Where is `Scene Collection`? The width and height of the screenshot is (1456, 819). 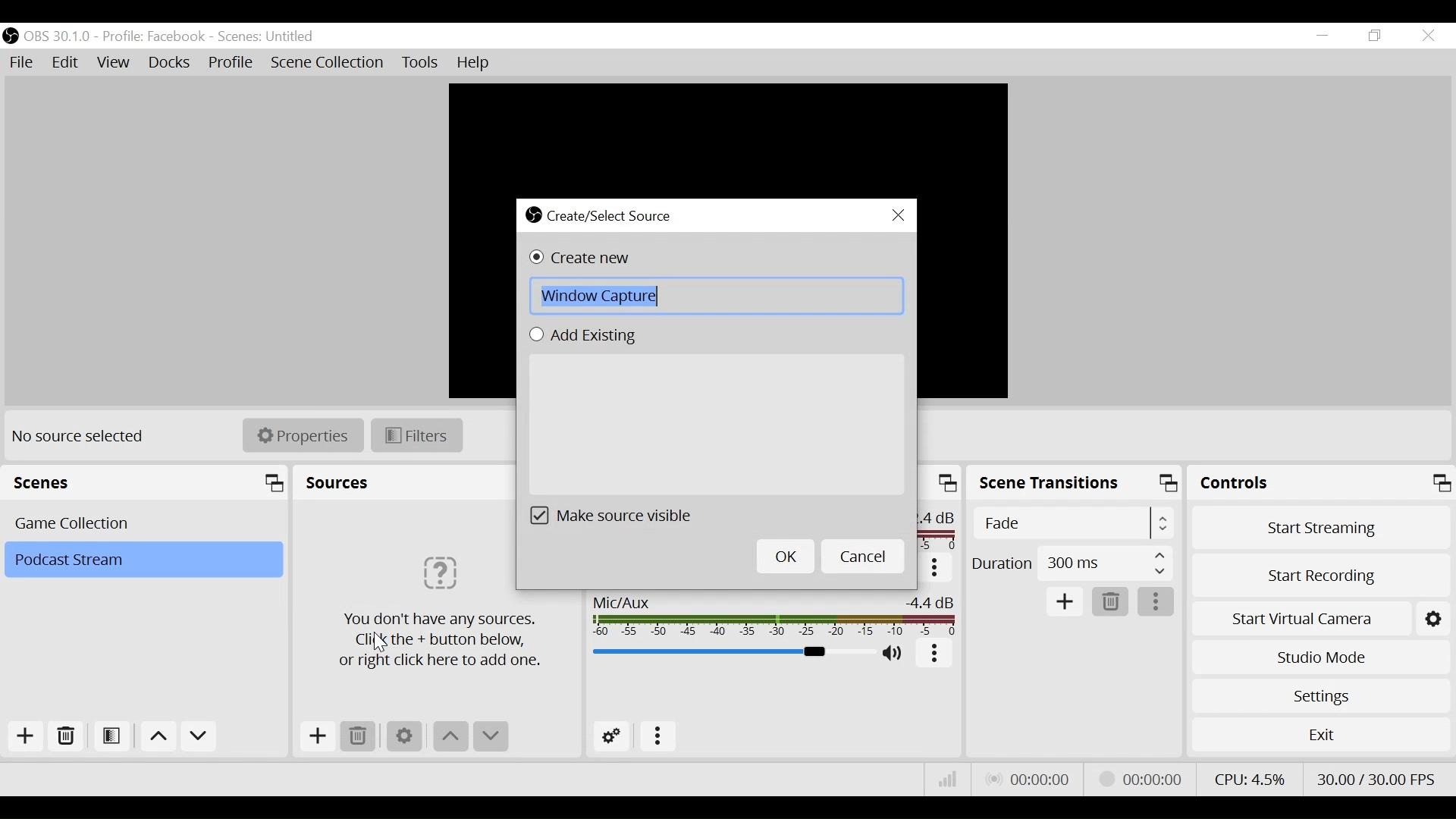
Scene Collection is located at coordinates (327, 63).